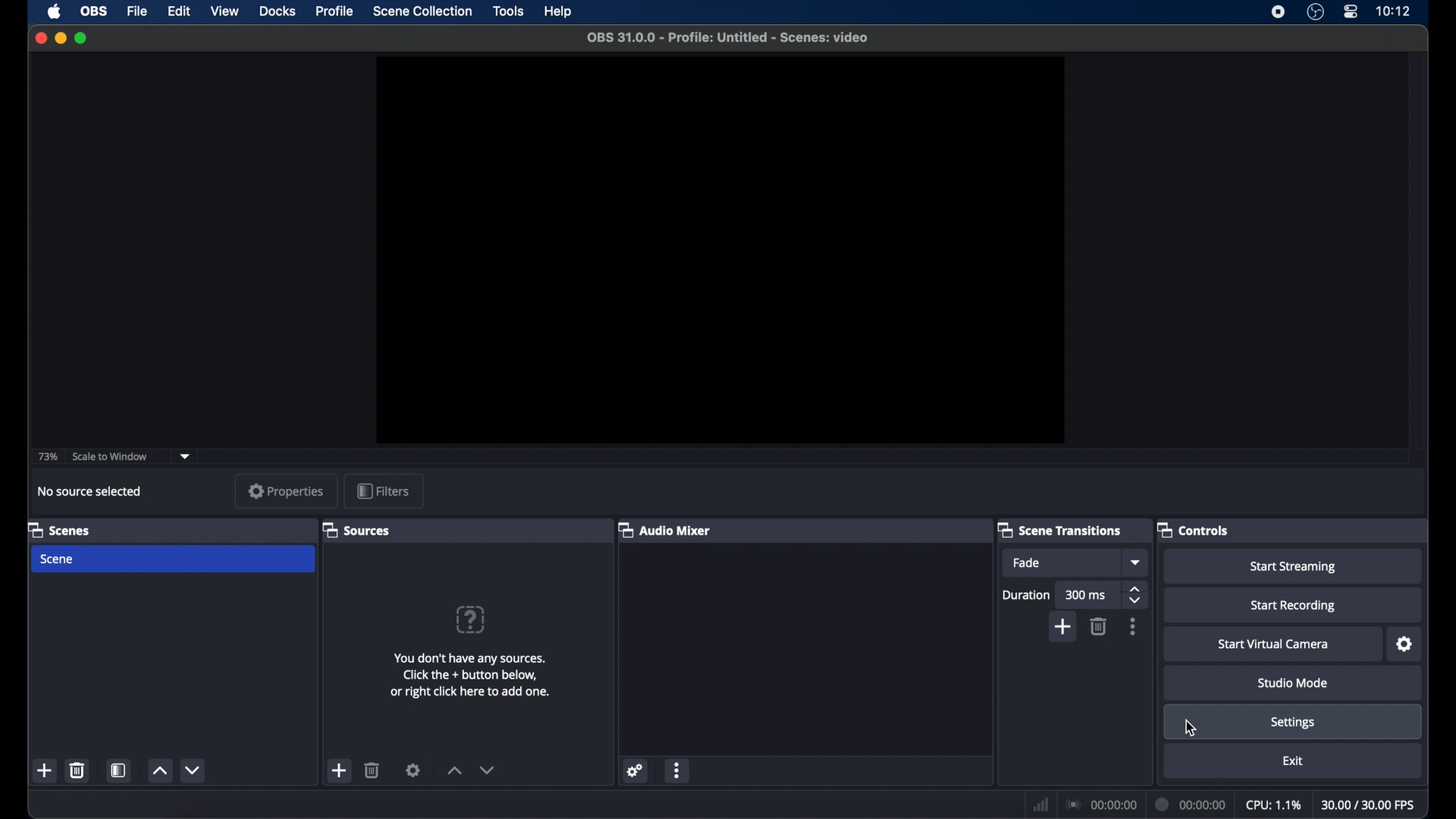 Image resolution: width=1456 pixels, height=819 pixels. What do you see at coordinates (1294, 721) in the screenshot?
I see `settings` at bounding box center [1294, 721].